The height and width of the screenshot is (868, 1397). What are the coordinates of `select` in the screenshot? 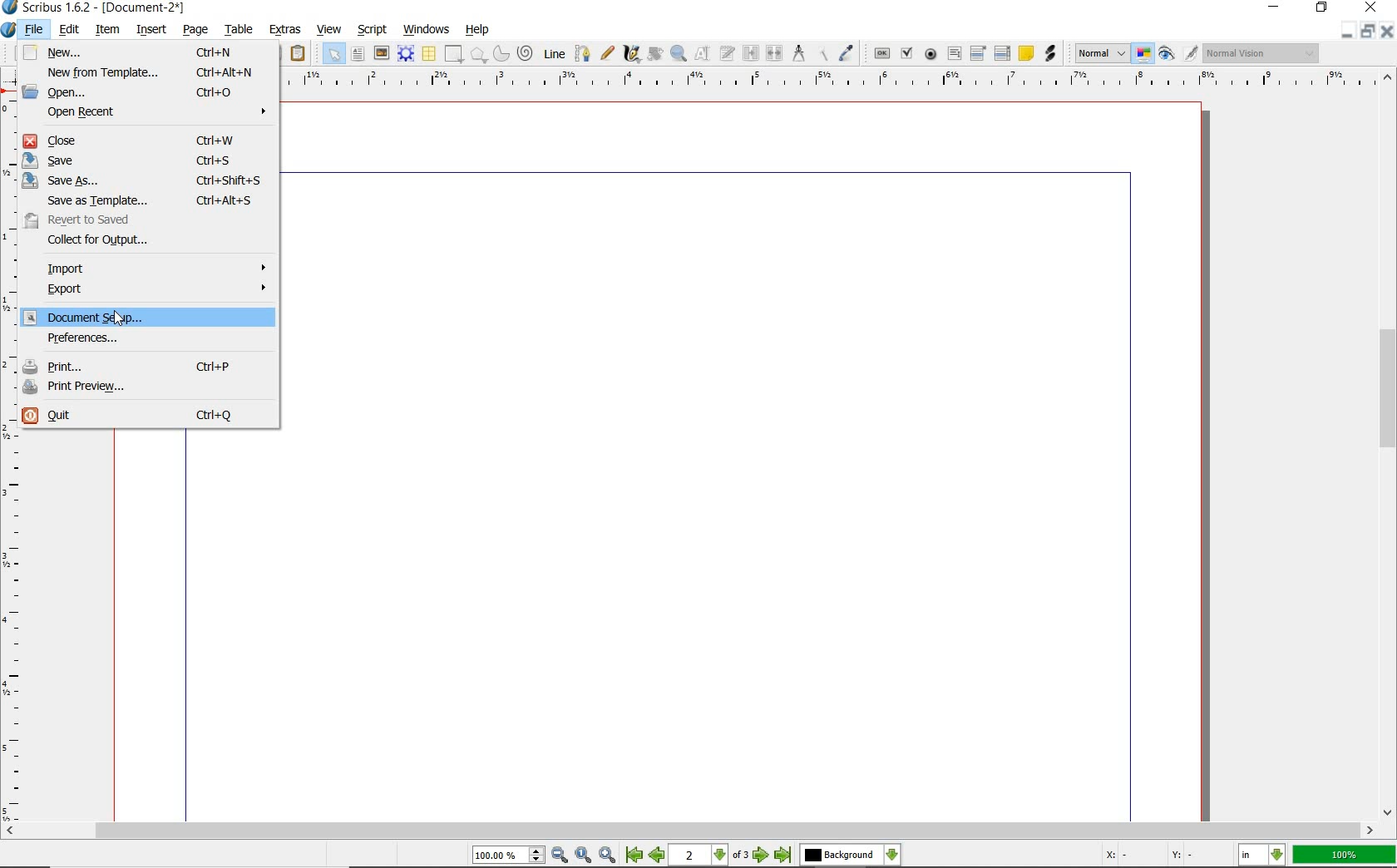 It's located at (334, 57).